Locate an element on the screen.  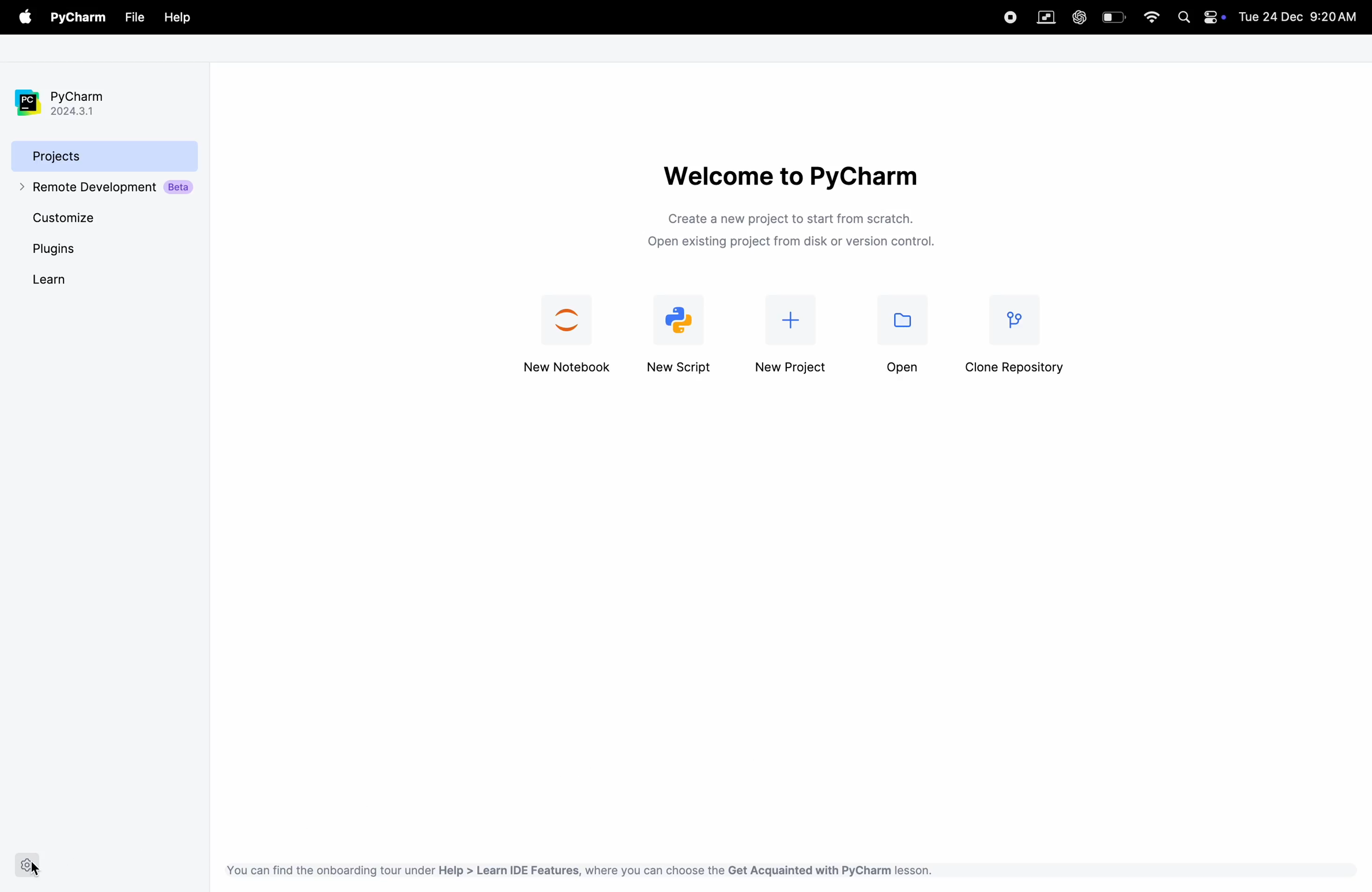
learn is located at coordinates (66, 279).